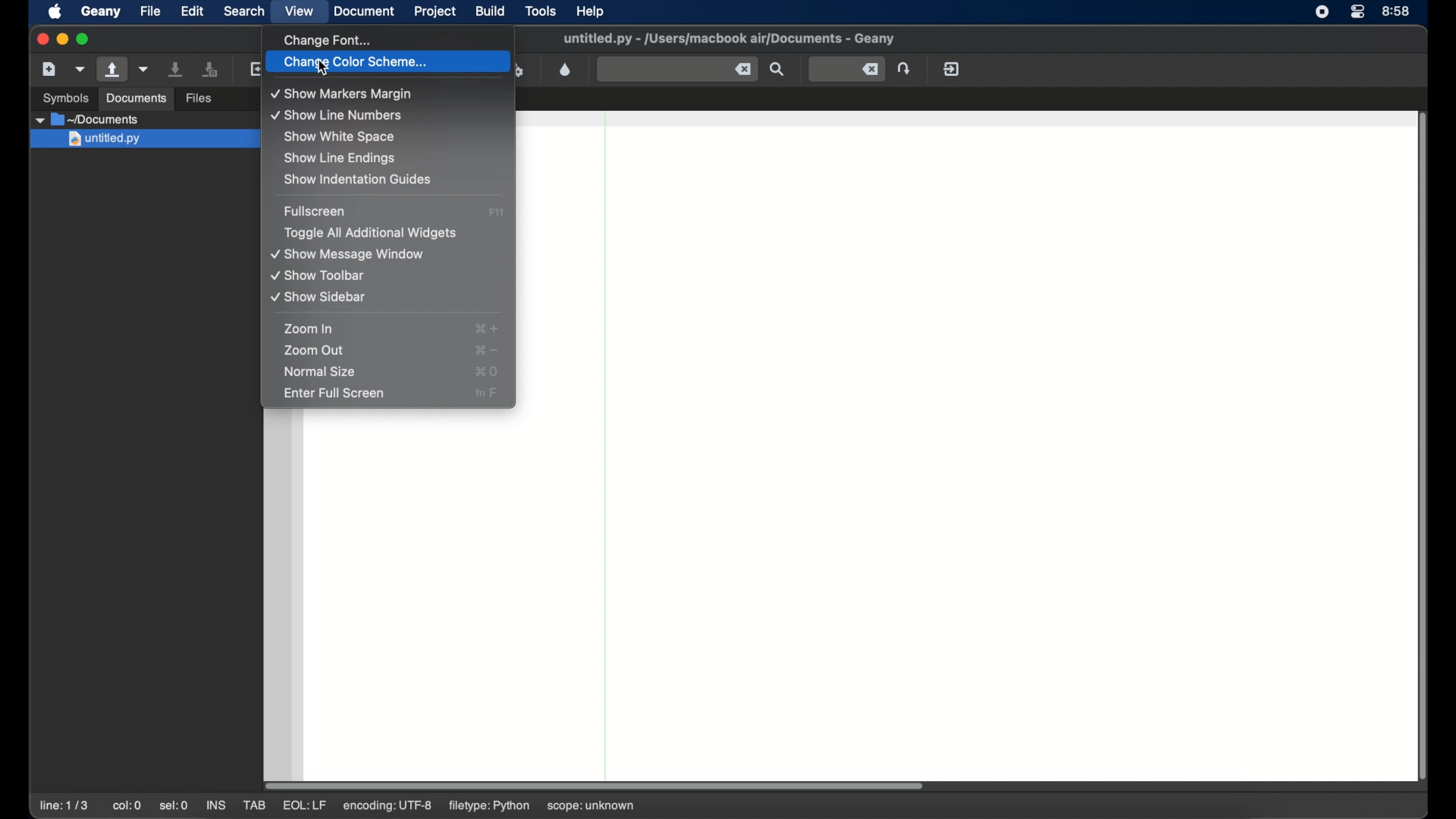 This screenshot has width=1456, height=819. What do you see at coordinates (491, 11) in the screenshot?
I see `build` at bounding box center [491, 11].